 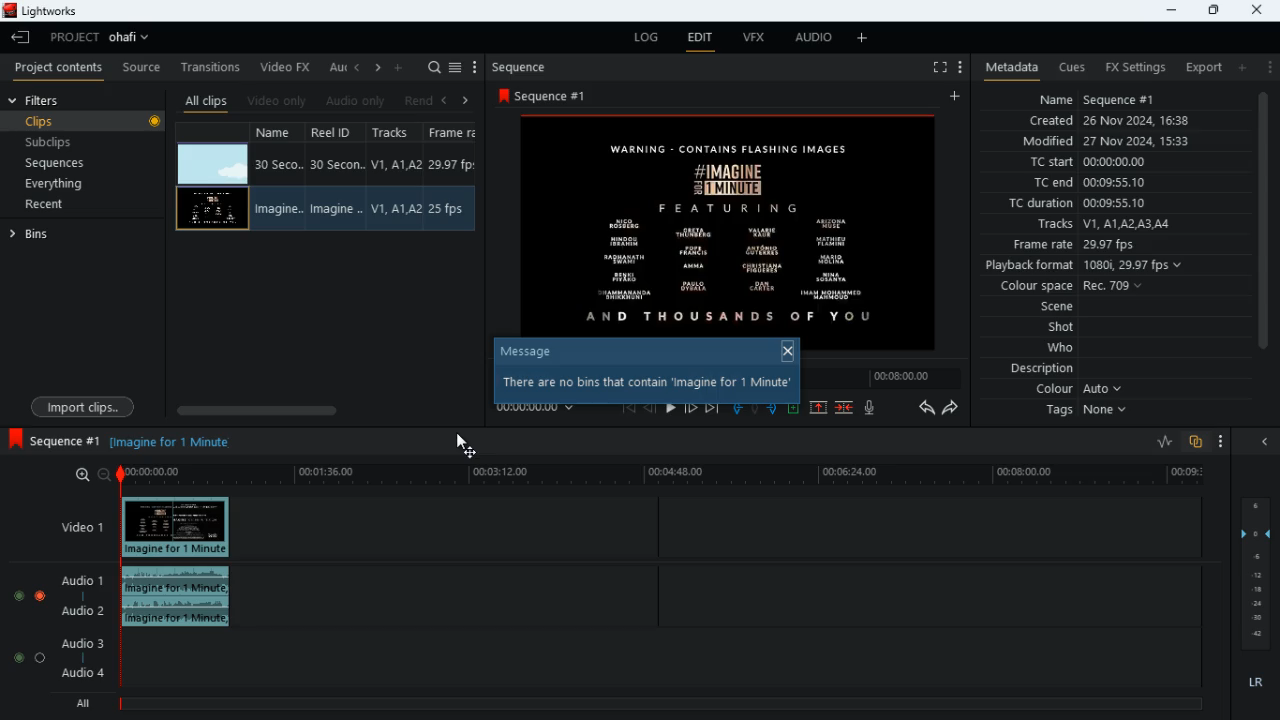 I want to click on video only, so click(x=278, y=99).